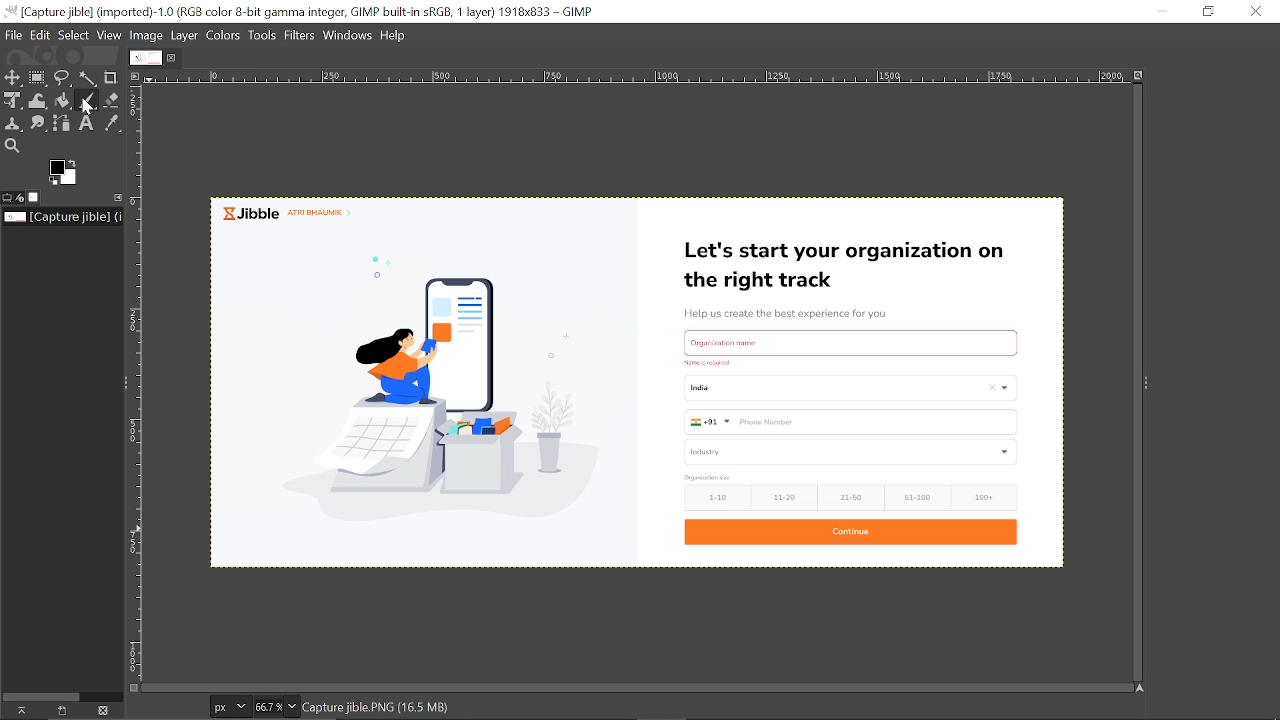 This screenshot has height=720, width=1280. What do you see at coordinates (87, 101) in the screenshot?
I see `paintbrush tool` at bounding box center [87, 101].